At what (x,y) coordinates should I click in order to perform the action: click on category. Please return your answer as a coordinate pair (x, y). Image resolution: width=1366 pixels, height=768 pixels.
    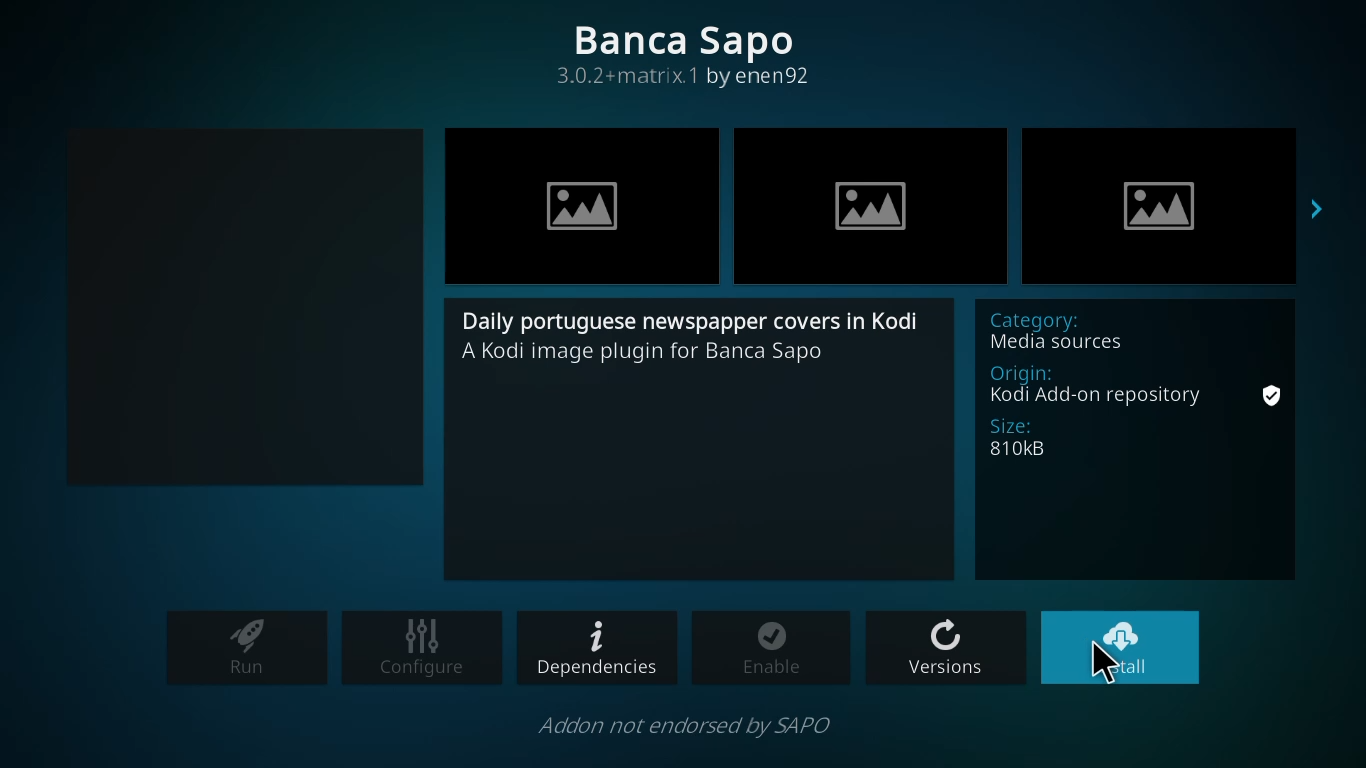
    Looking at the image, I should click on (1115, 328).